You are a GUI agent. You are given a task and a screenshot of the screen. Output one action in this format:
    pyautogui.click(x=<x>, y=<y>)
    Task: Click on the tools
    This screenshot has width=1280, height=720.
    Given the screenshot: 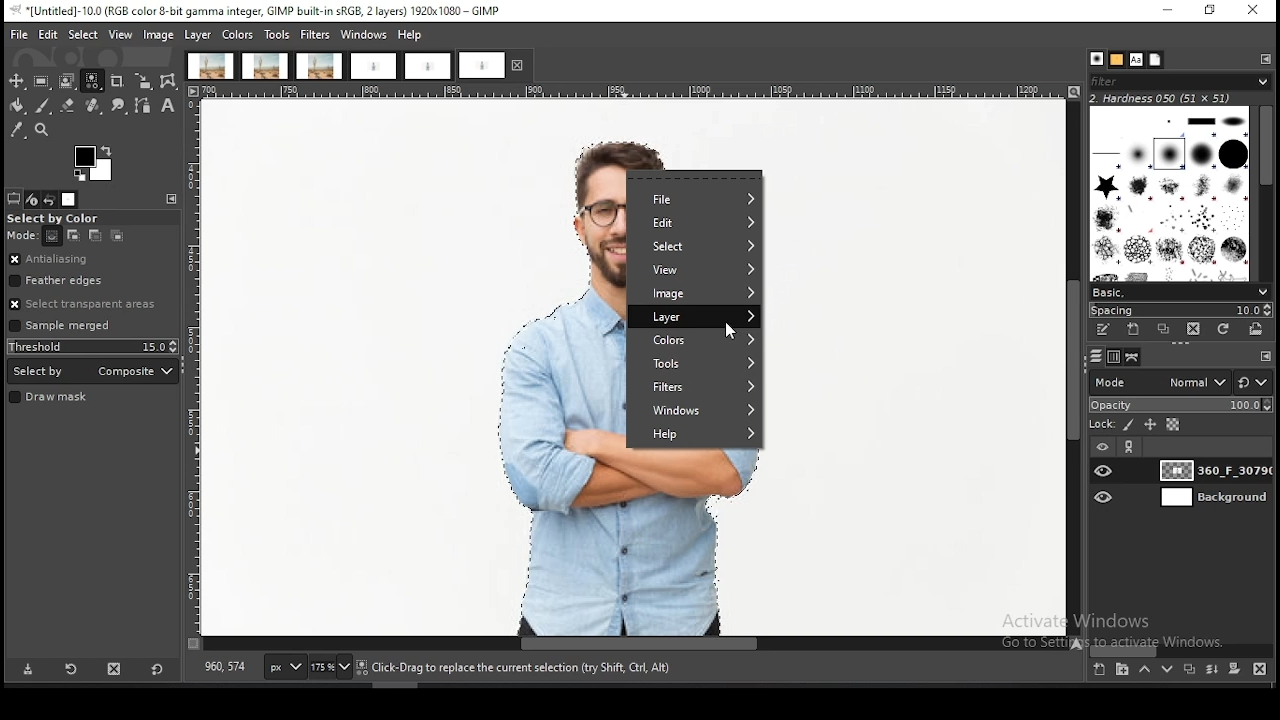 What is the action you would take?
    pyautogui.click(x=277, y=36)
    